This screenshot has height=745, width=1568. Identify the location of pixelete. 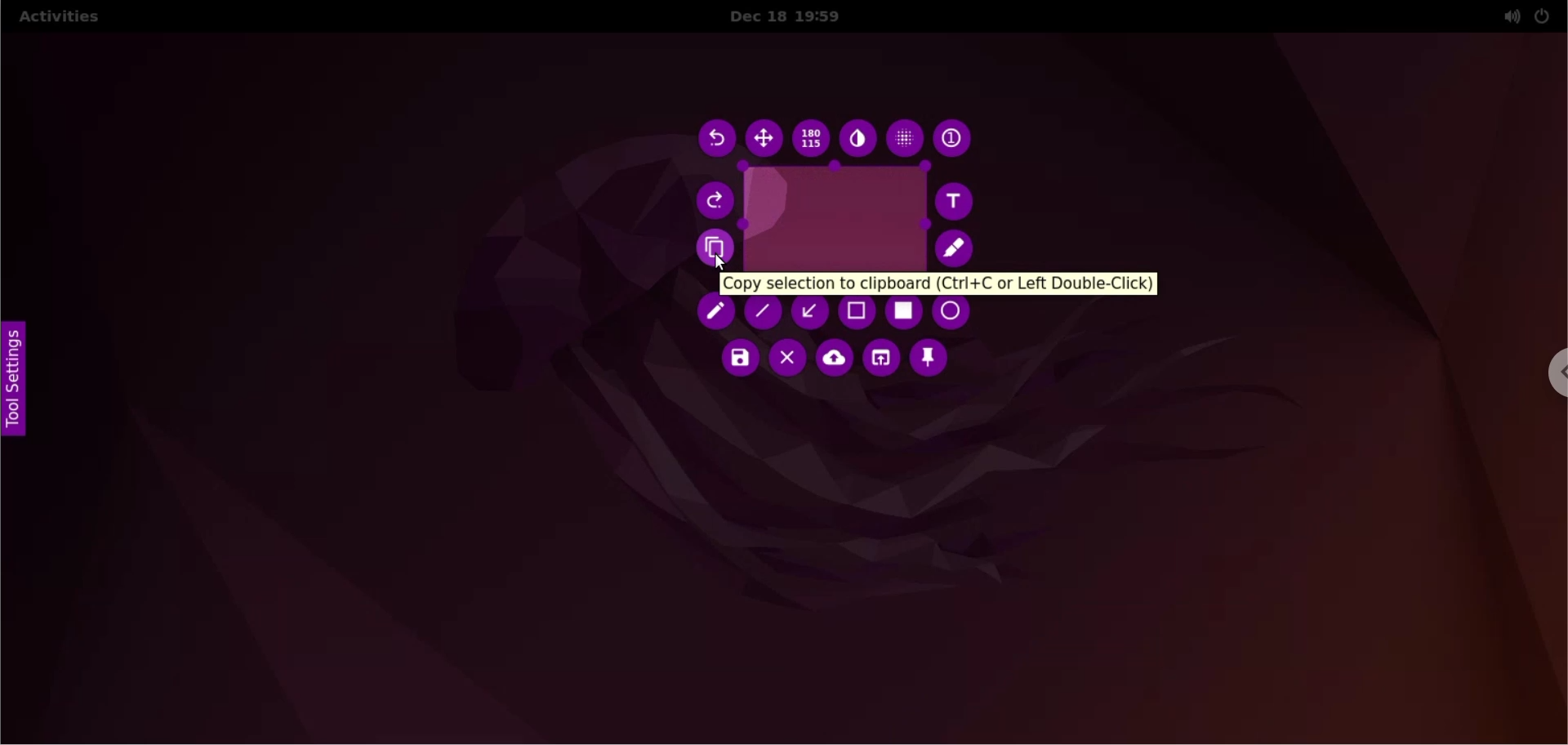
(904, 137).